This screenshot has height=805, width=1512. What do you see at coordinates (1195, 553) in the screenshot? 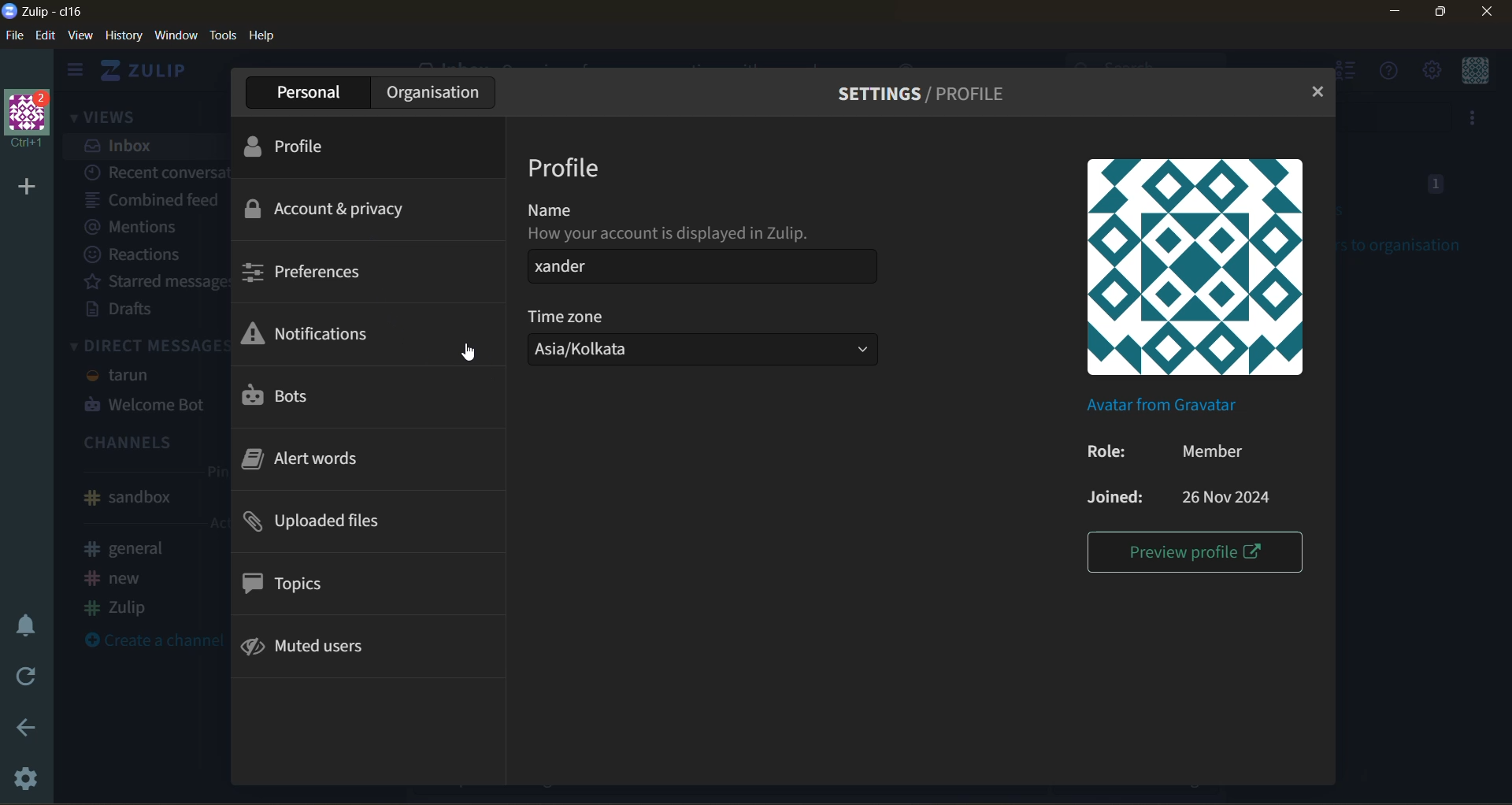
I see `preview profile` at bounding box center [1195, 553].